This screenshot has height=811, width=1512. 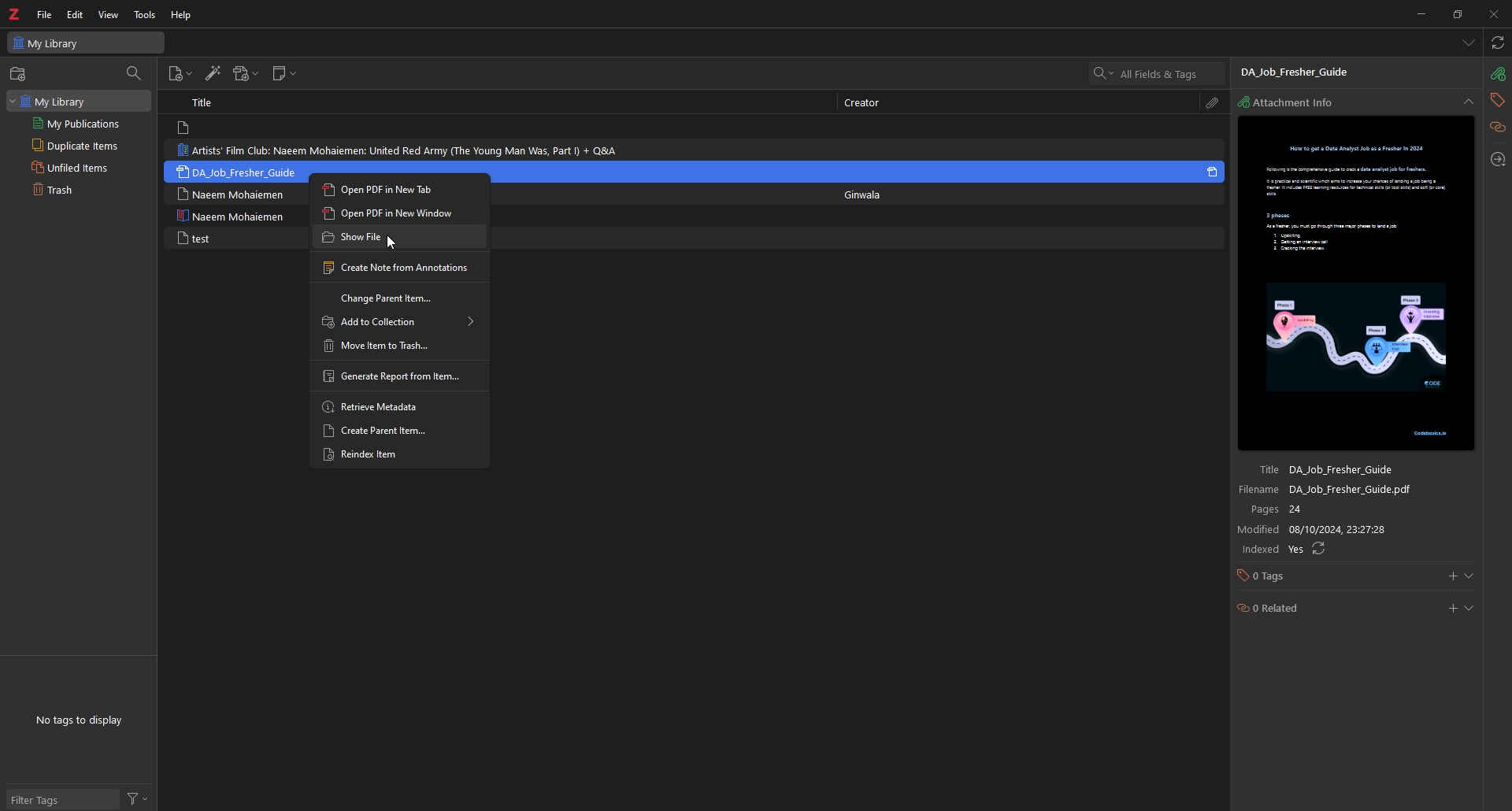 I want to click on add related, so click(x=1452, y=609).